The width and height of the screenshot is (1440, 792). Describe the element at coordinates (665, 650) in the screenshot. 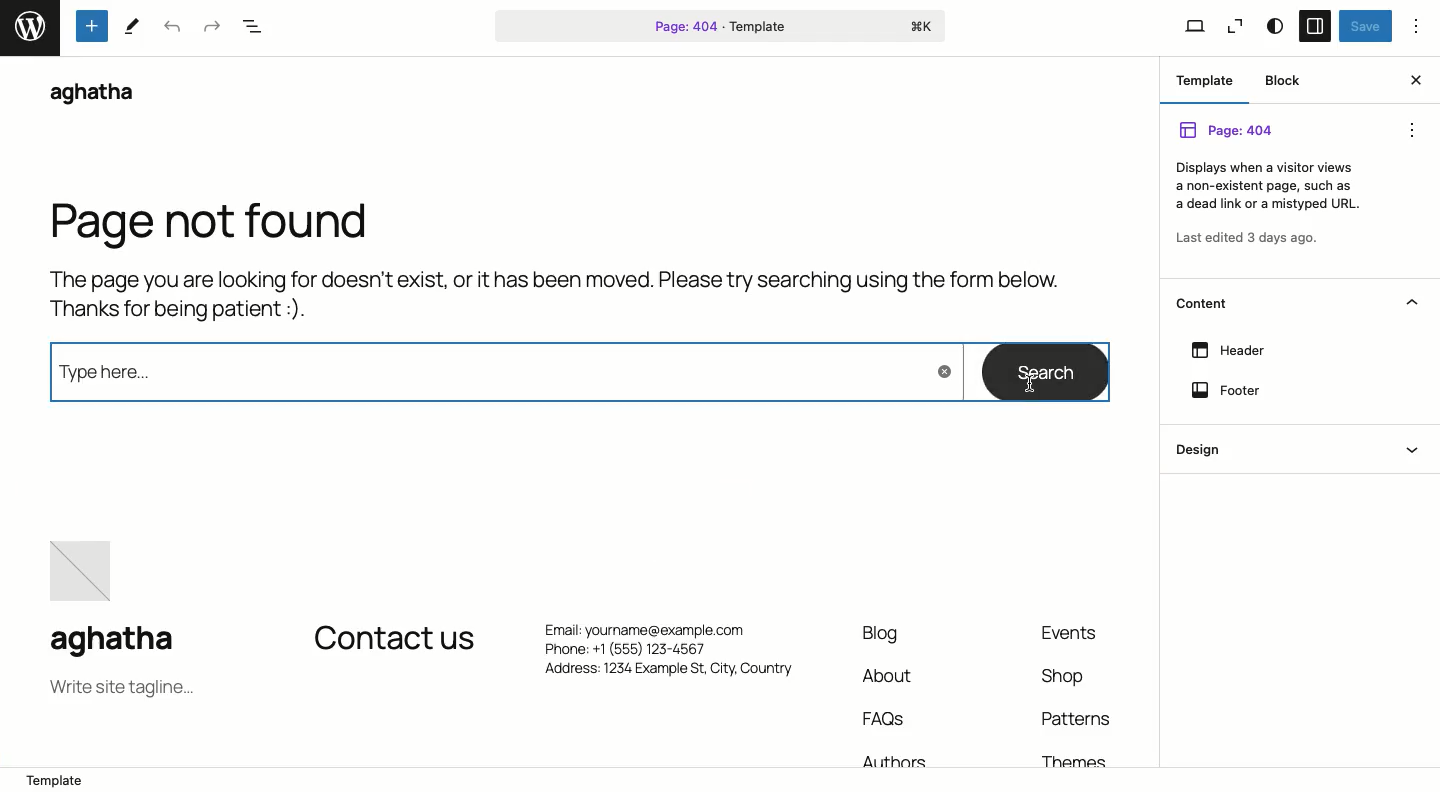

I see `Phone: +1 (555) 123-4567` at that location.